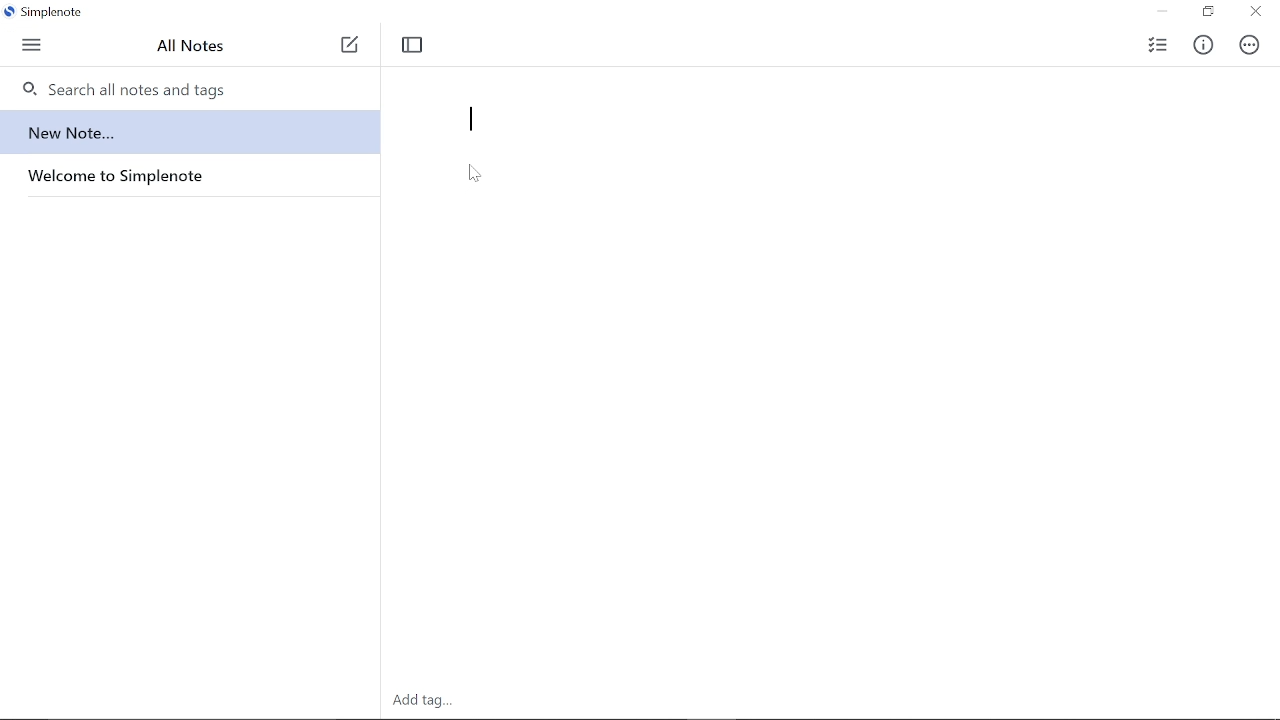 The height and width of the screenshot is (720, 1280). Describe the element at coordinates (346, 51) in the screenshot. I see `New note` at that location.